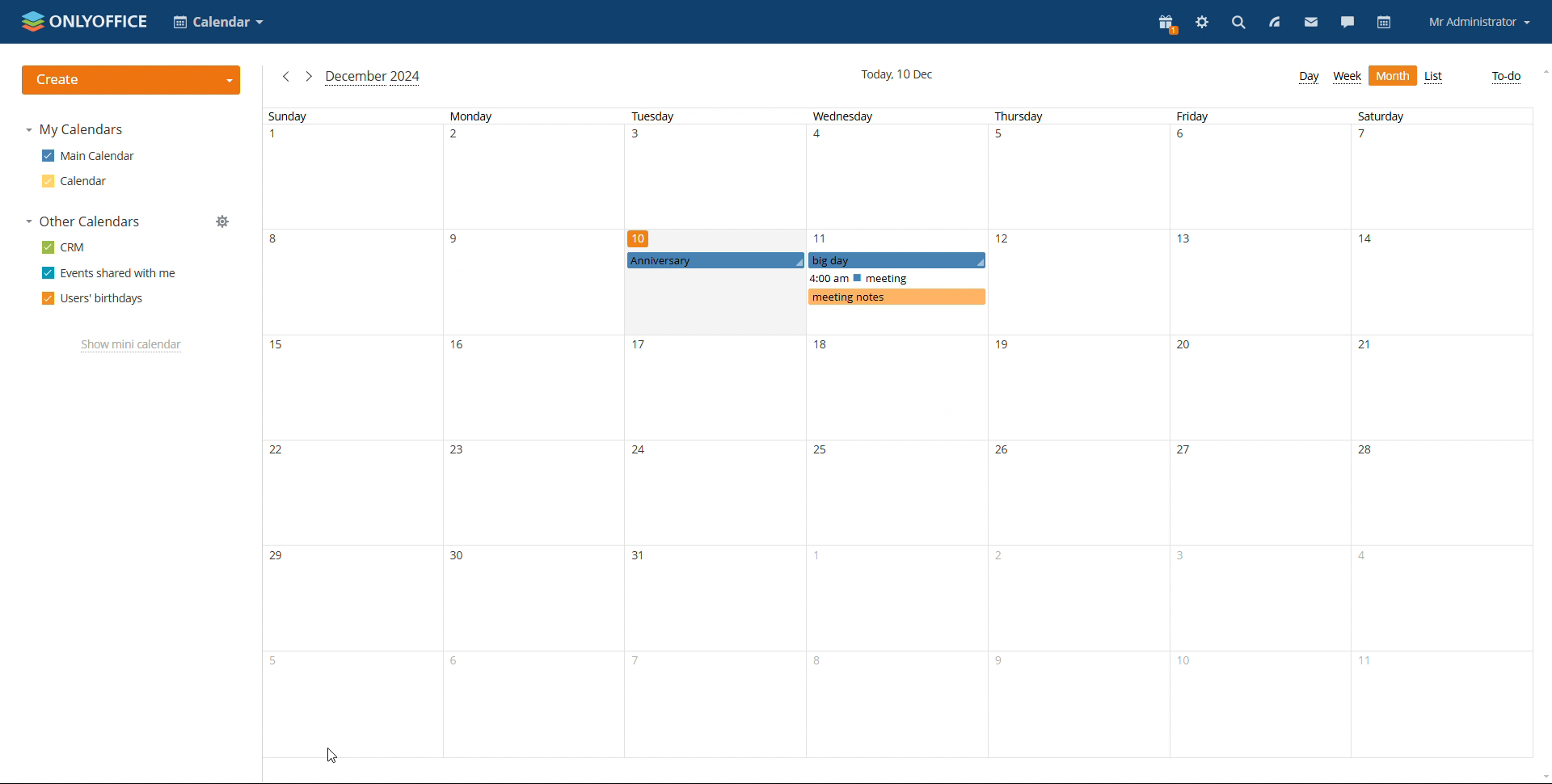 The image size is (1552, 784). I want to click on feed, so click(1274, 23).